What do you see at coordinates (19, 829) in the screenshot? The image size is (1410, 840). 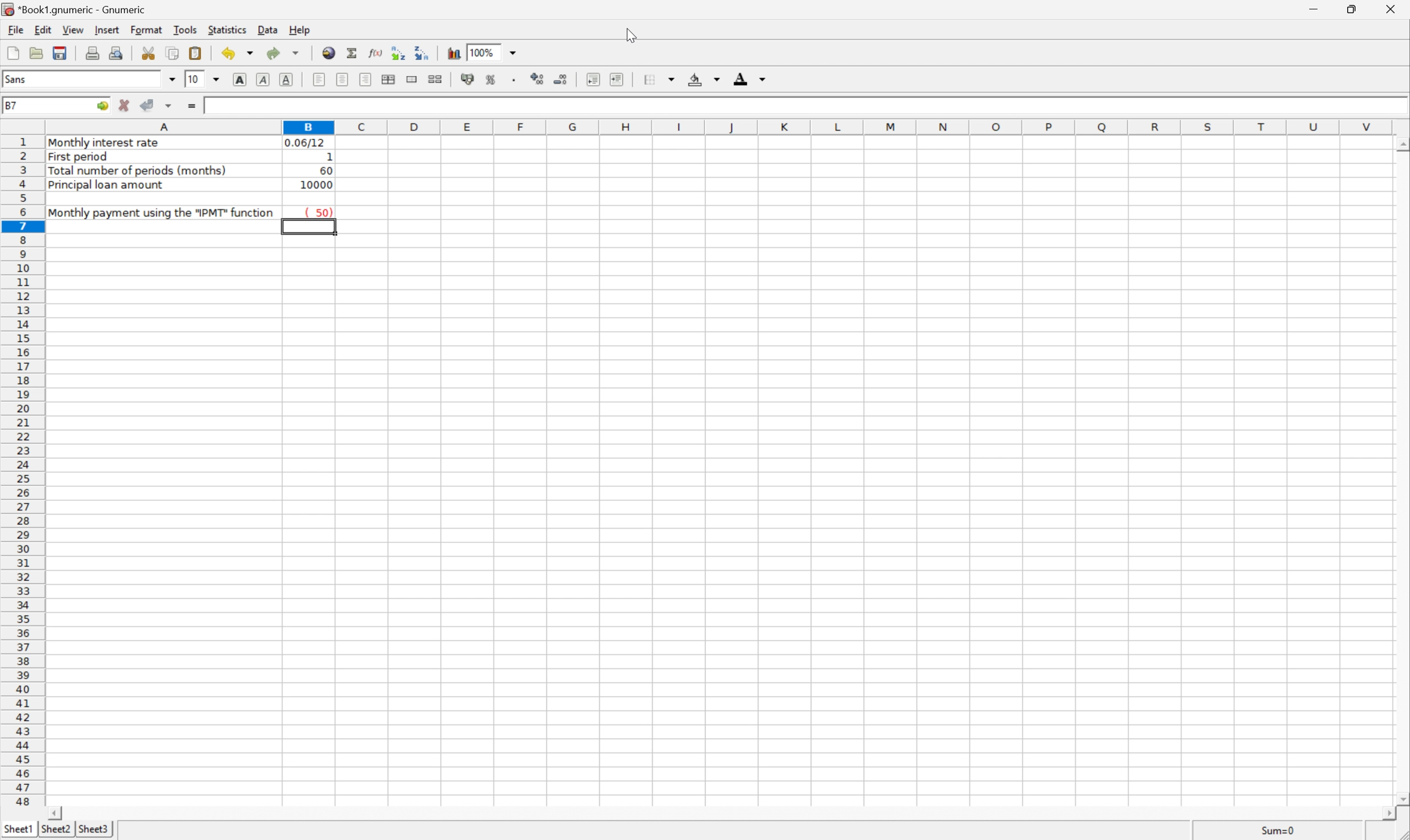 I see `Sheet1` at bounding box center [19, 829].